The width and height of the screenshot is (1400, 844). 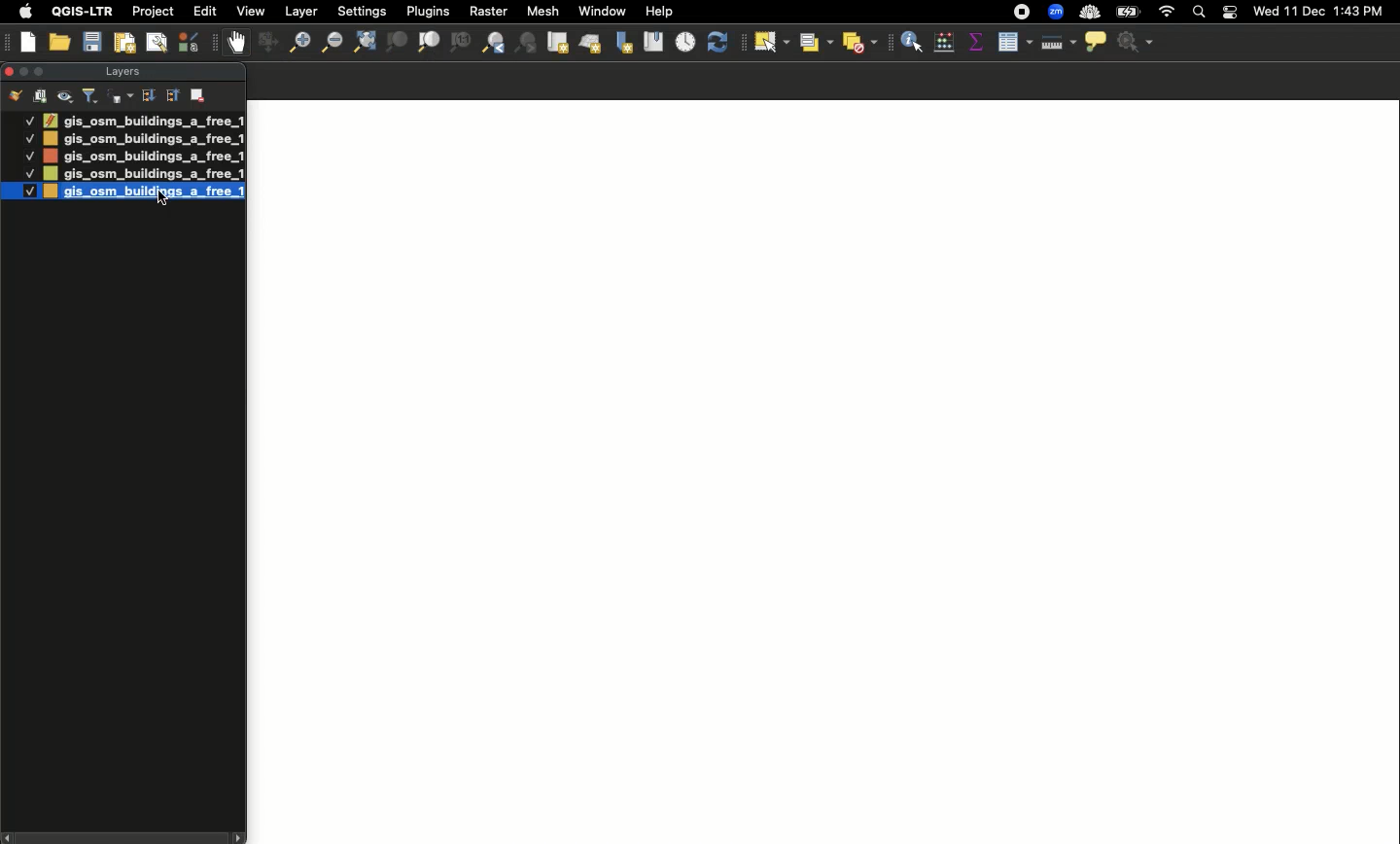 I want to click on Notification, so click(x=1227, y=13).